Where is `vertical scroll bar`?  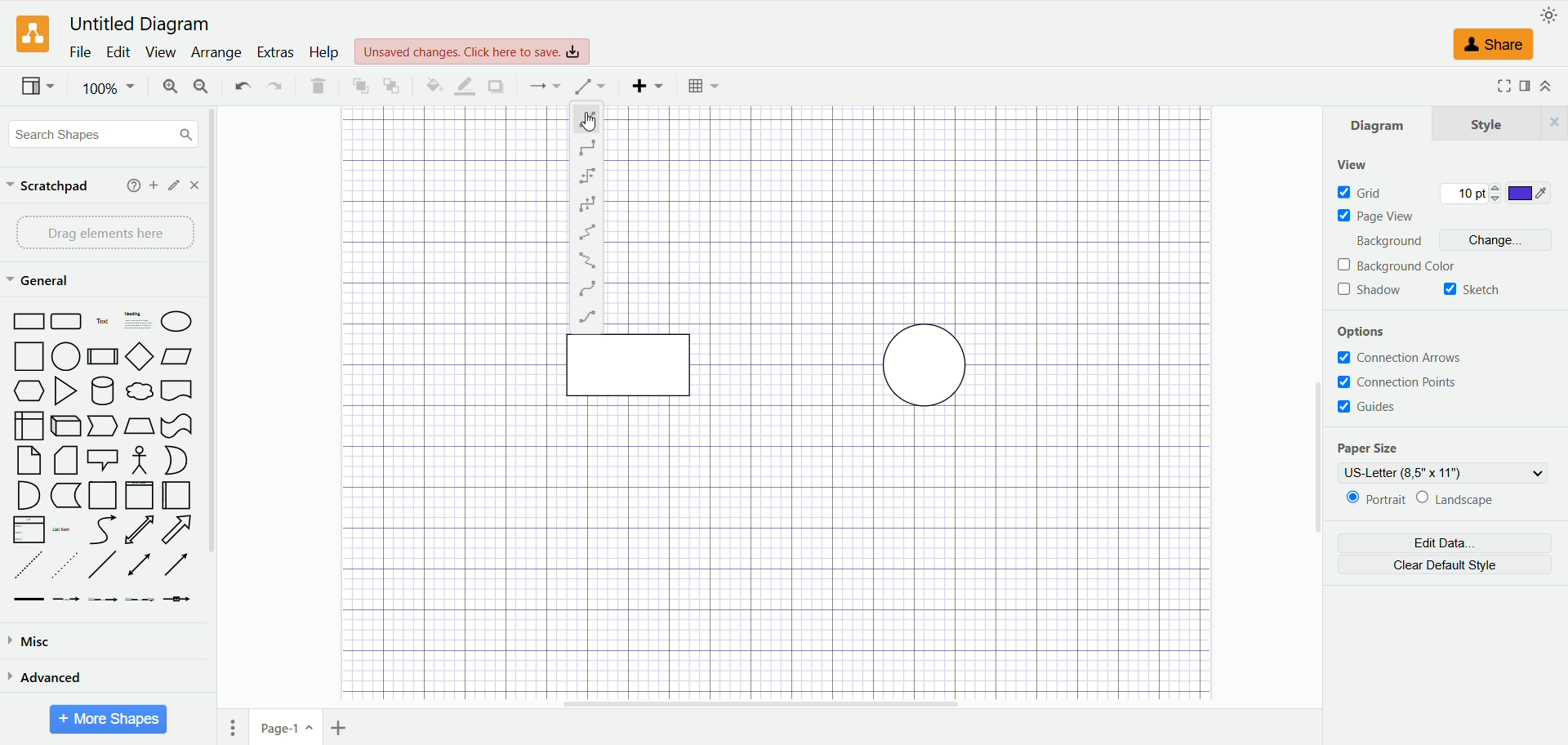
vertical scroll bar is located at coordinates (1317, 408).